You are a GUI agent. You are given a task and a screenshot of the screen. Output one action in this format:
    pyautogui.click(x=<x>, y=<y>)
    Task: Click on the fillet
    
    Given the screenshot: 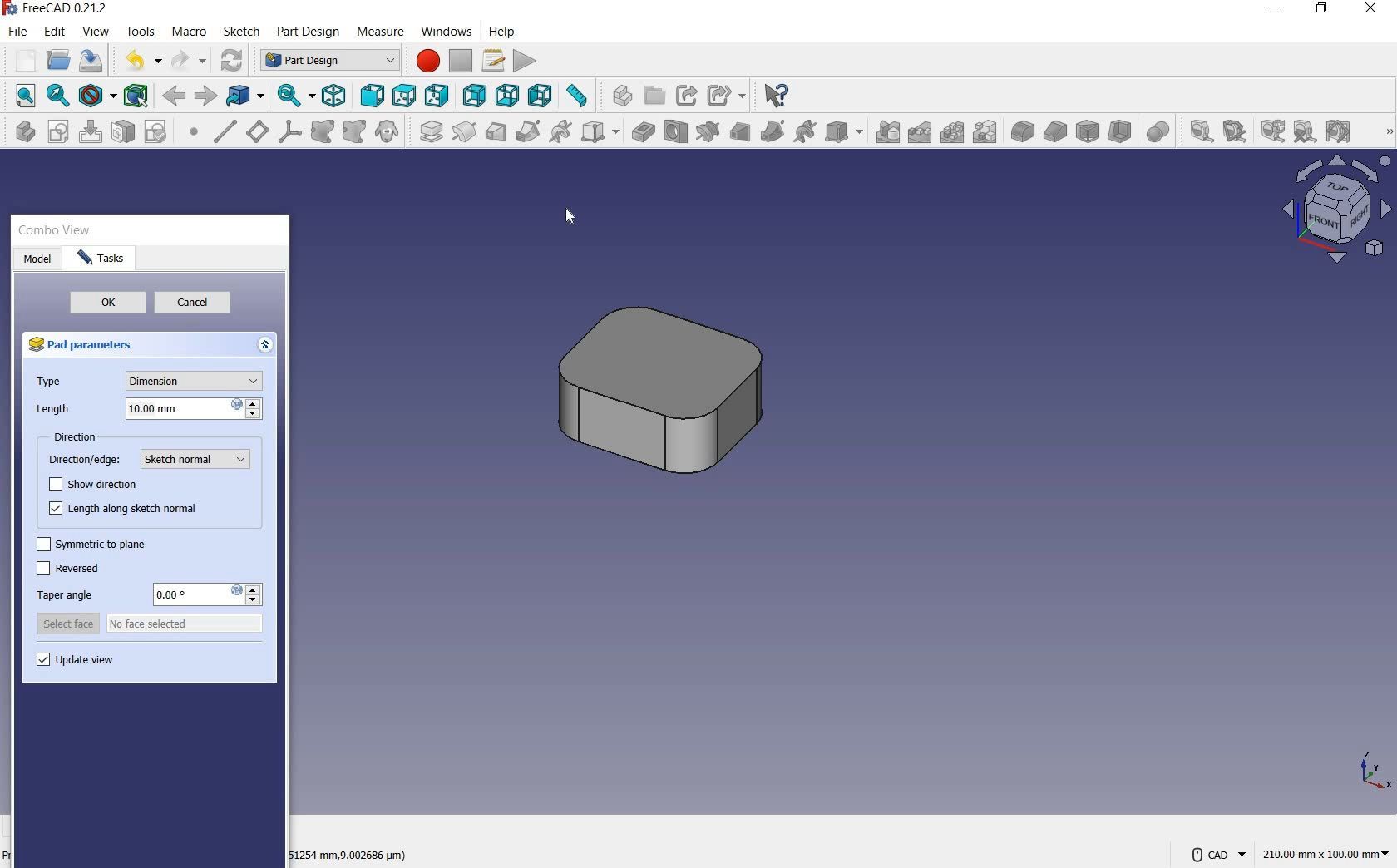 What is the action you would take?
    pyautogui.click(x=1023, y=132)
    